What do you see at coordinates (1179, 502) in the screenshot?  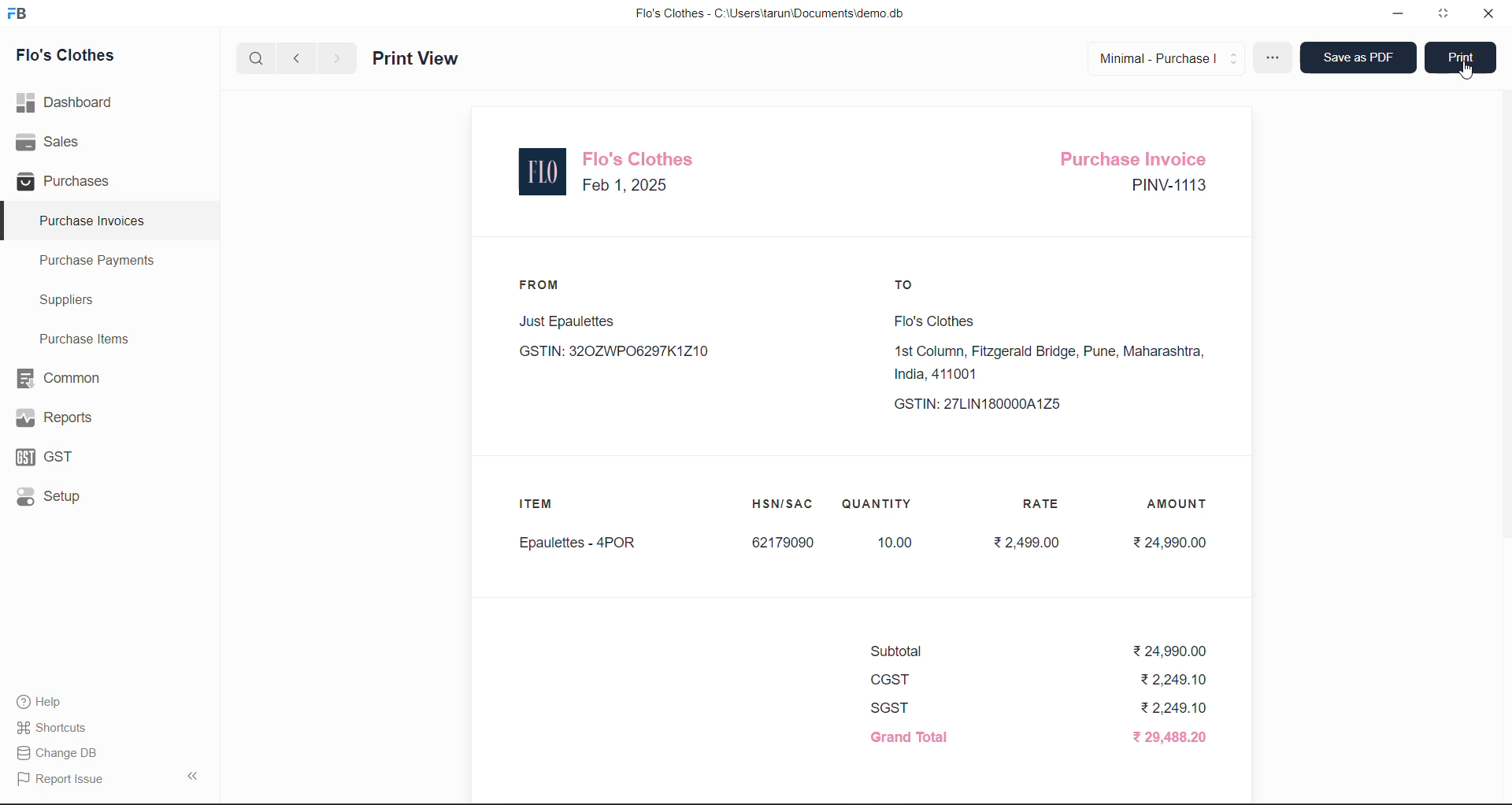 I see ` AMOUNT` at bounding box center [1179, 502].